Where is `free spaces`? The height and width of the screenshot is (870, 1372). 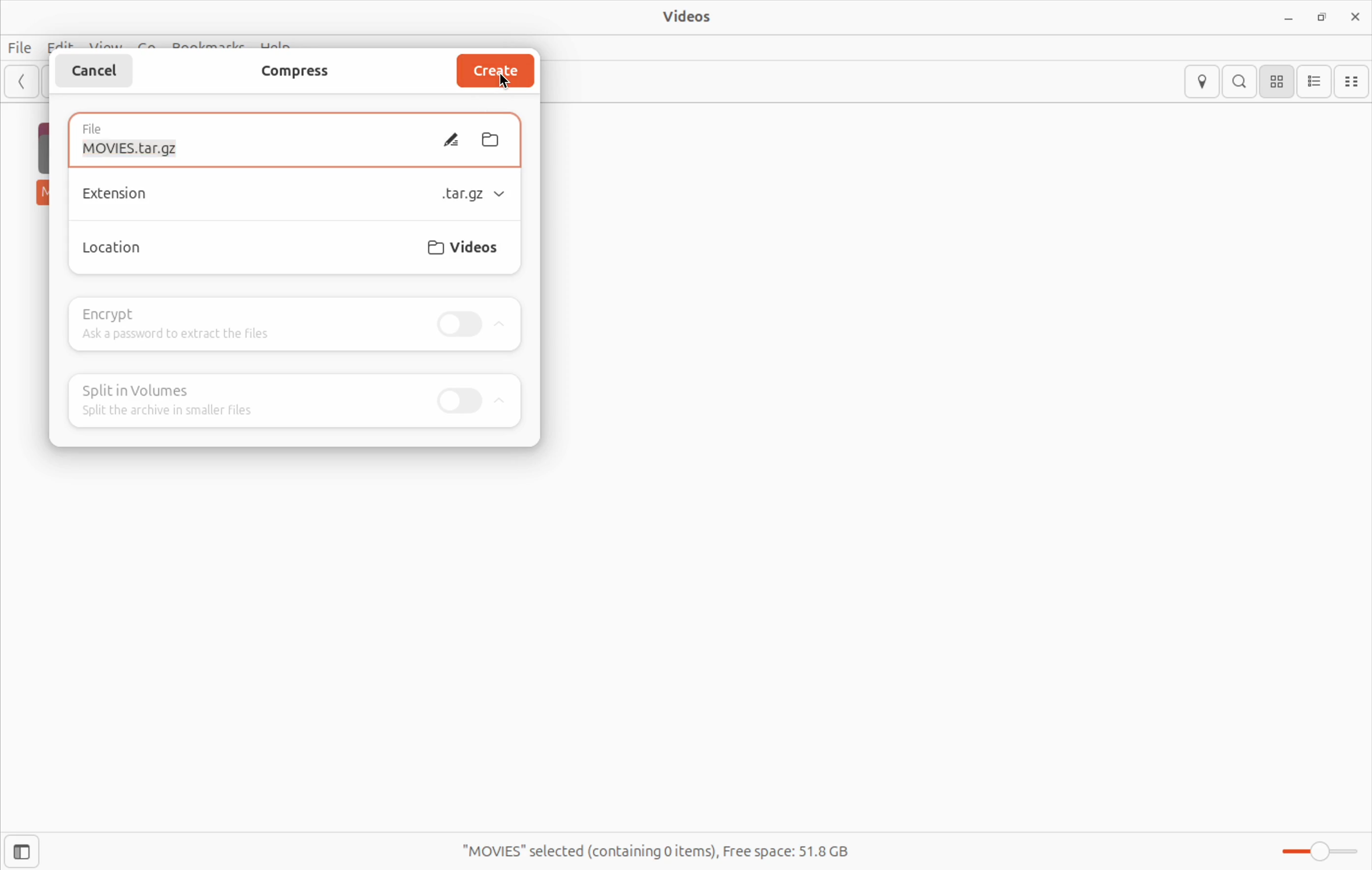 free spaces is located at coordinates (656, 851).